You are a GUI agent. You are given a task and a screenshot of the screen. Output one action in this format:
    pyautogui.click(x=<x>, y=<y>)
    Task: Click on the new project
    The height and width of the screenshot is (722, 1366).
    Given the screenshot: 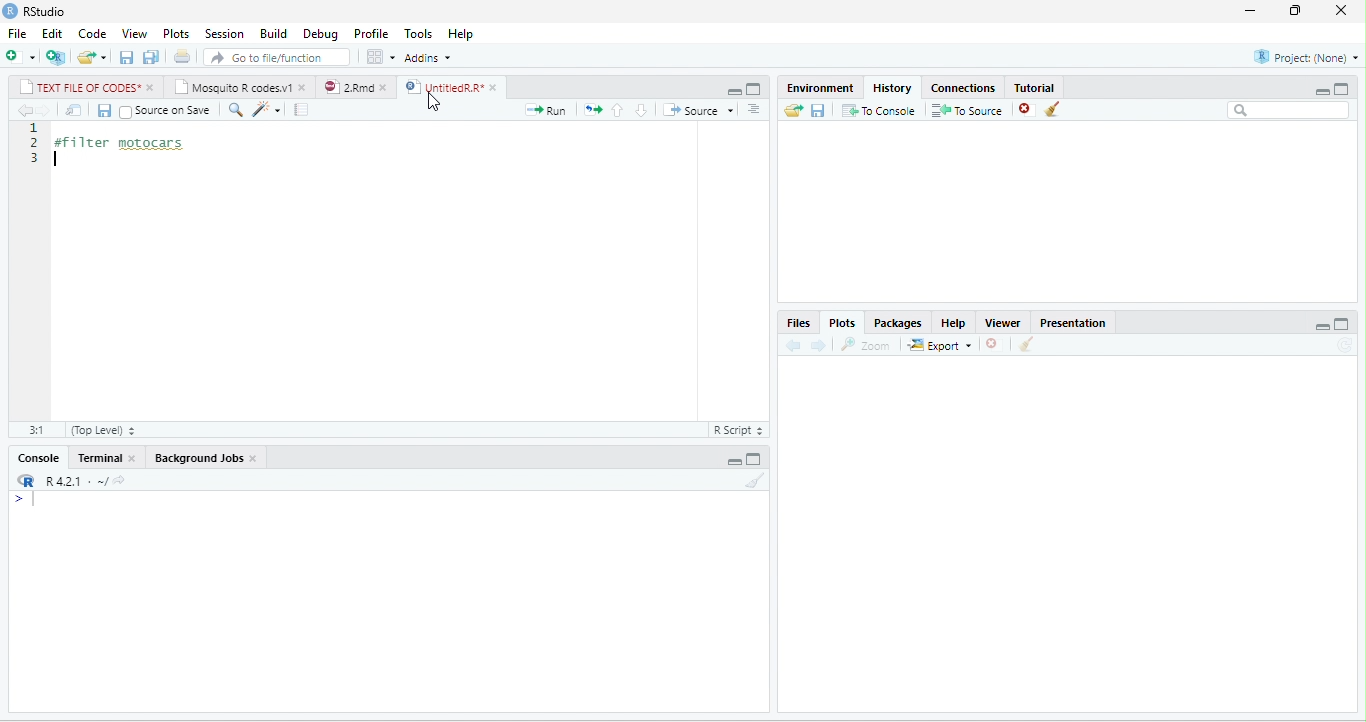 What is the action you would take?
    pyautogui.click(x=55, y=57)
    